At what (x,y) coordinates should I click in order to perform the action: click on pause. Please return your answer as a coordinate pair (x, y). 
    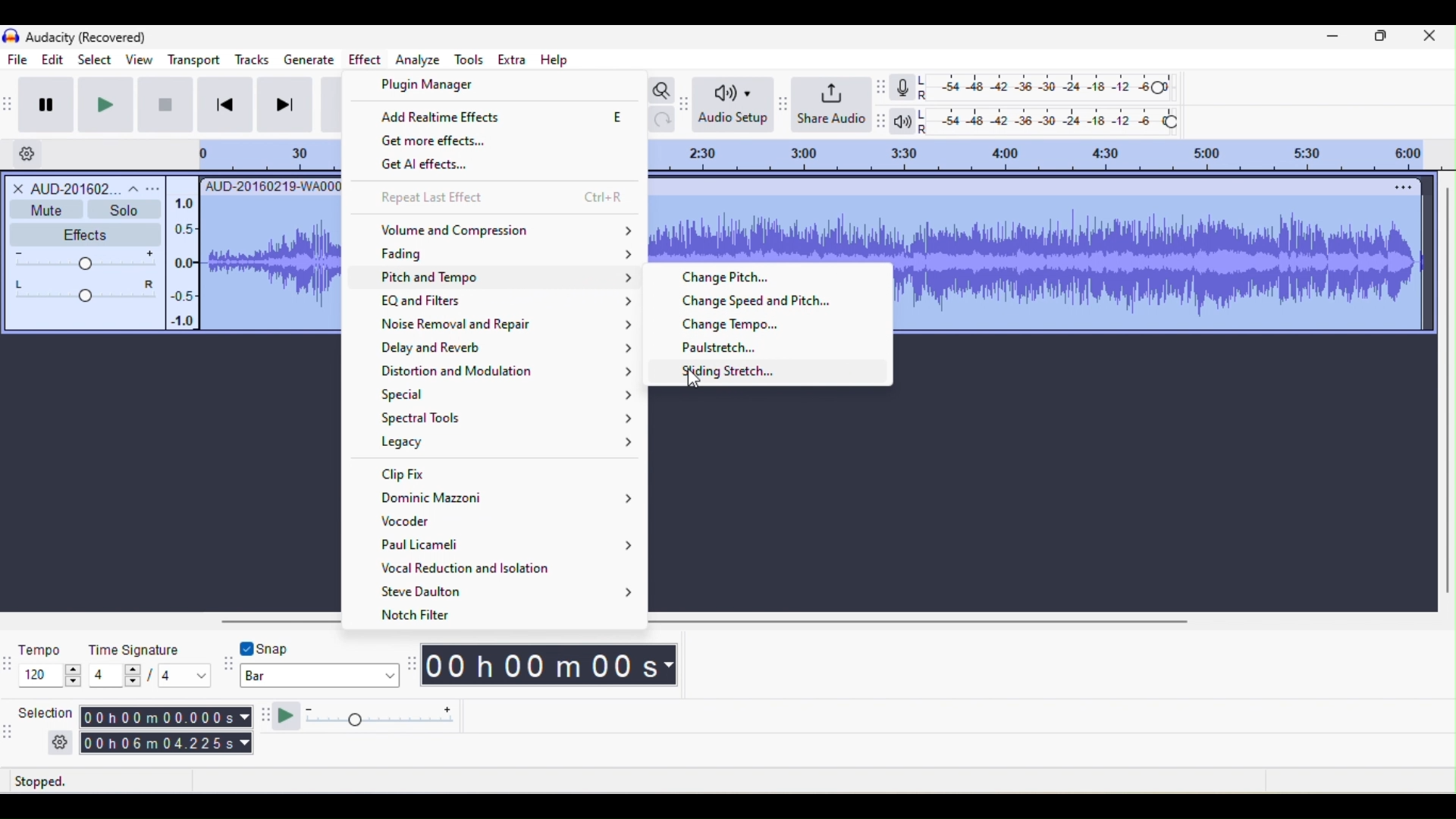
    Looking at the image, I should click on (51, 102).